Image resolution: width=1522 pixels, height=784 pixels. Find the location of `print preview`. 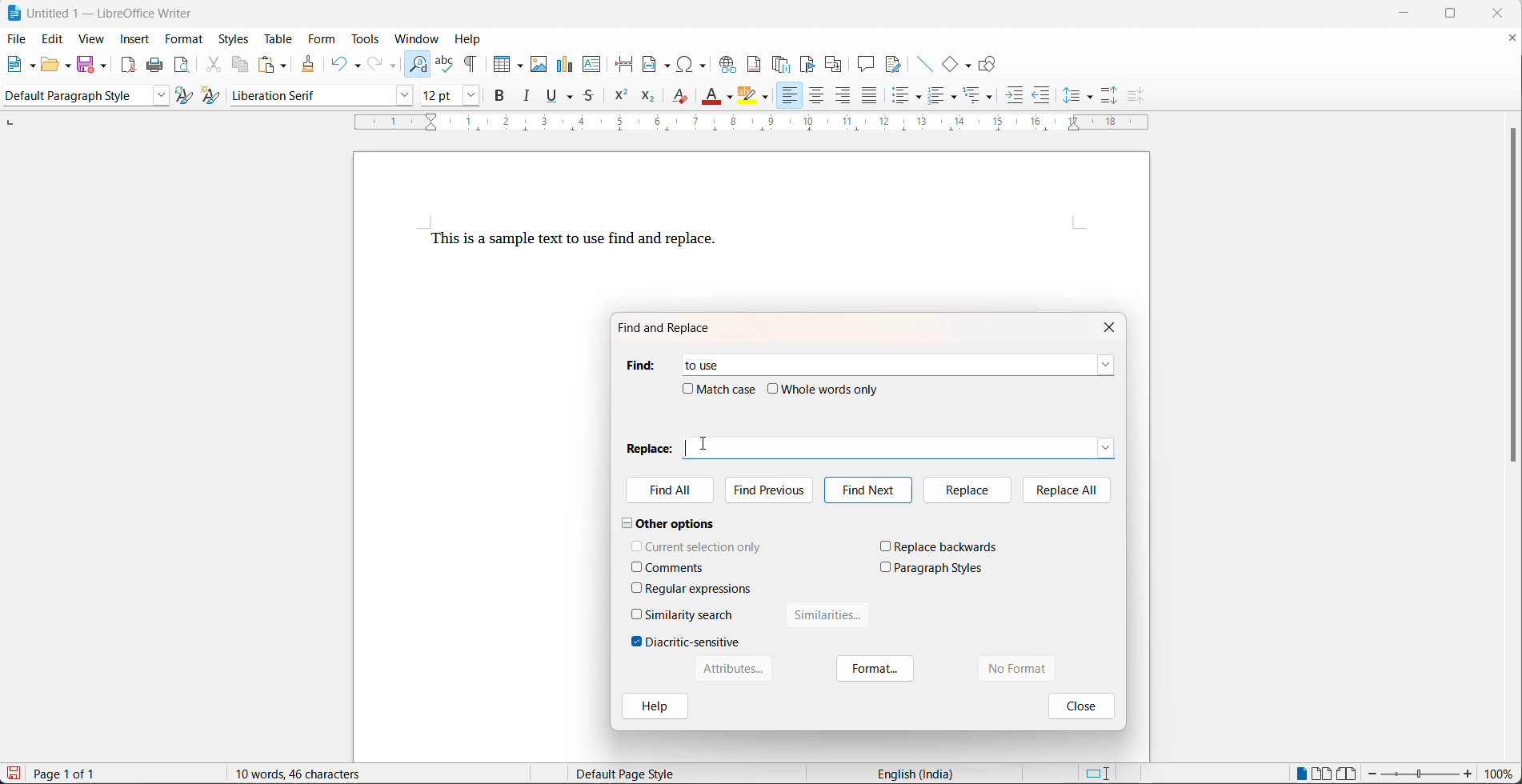

print preview is located at coordinates (183, 66).